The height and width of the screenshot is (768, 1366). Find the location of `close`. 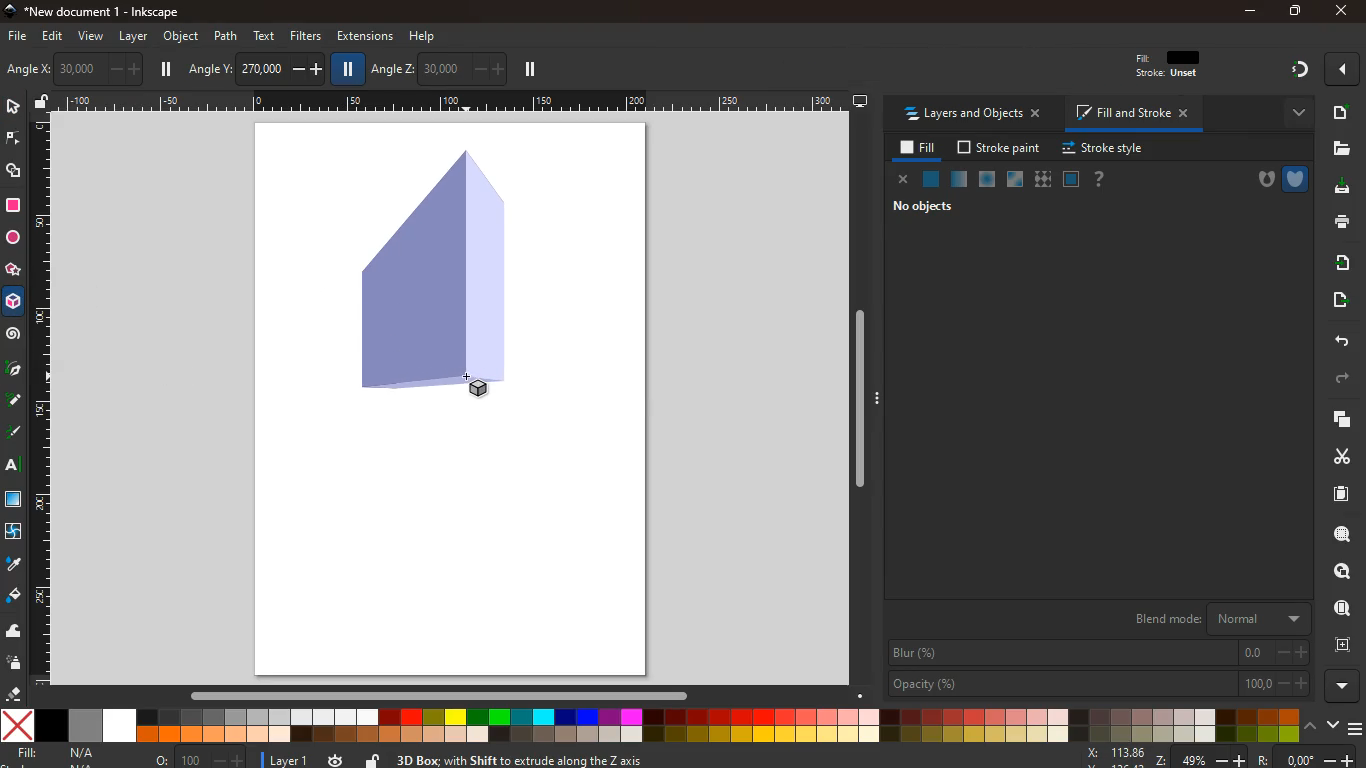

close is located at coordinates (903, 180).